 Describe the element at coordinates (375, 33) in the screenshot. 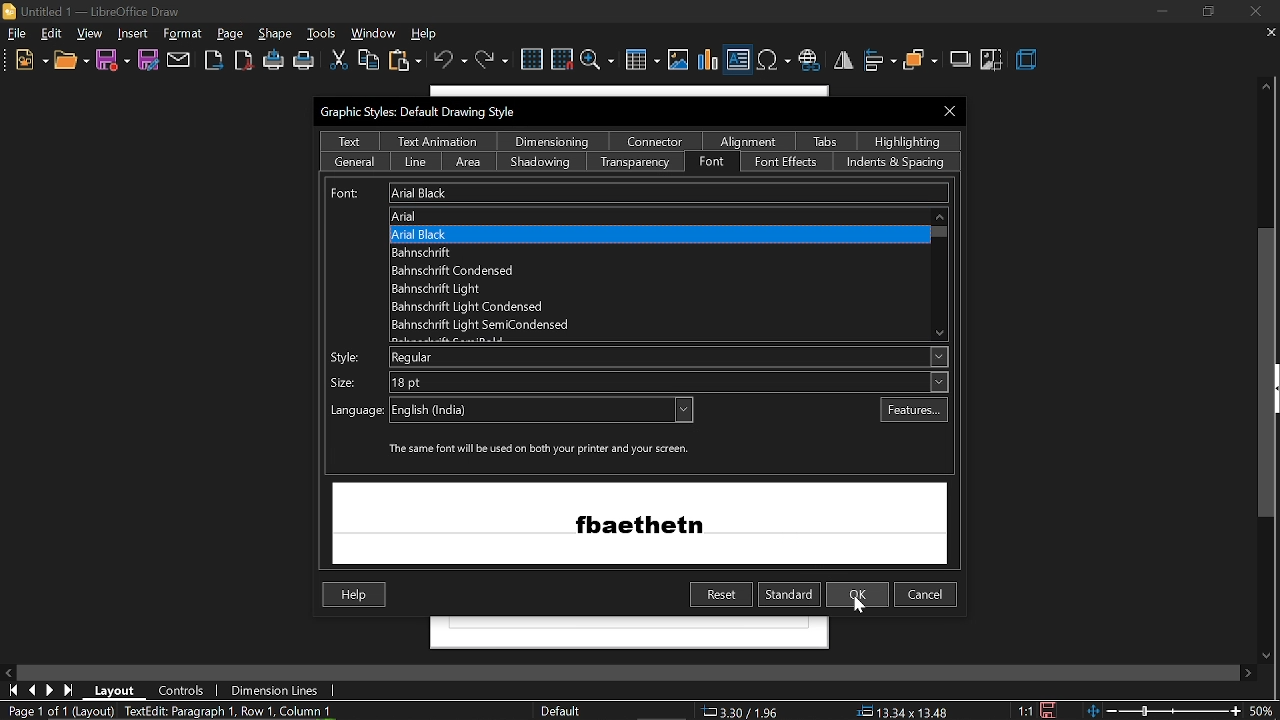

I see `window` at that location.